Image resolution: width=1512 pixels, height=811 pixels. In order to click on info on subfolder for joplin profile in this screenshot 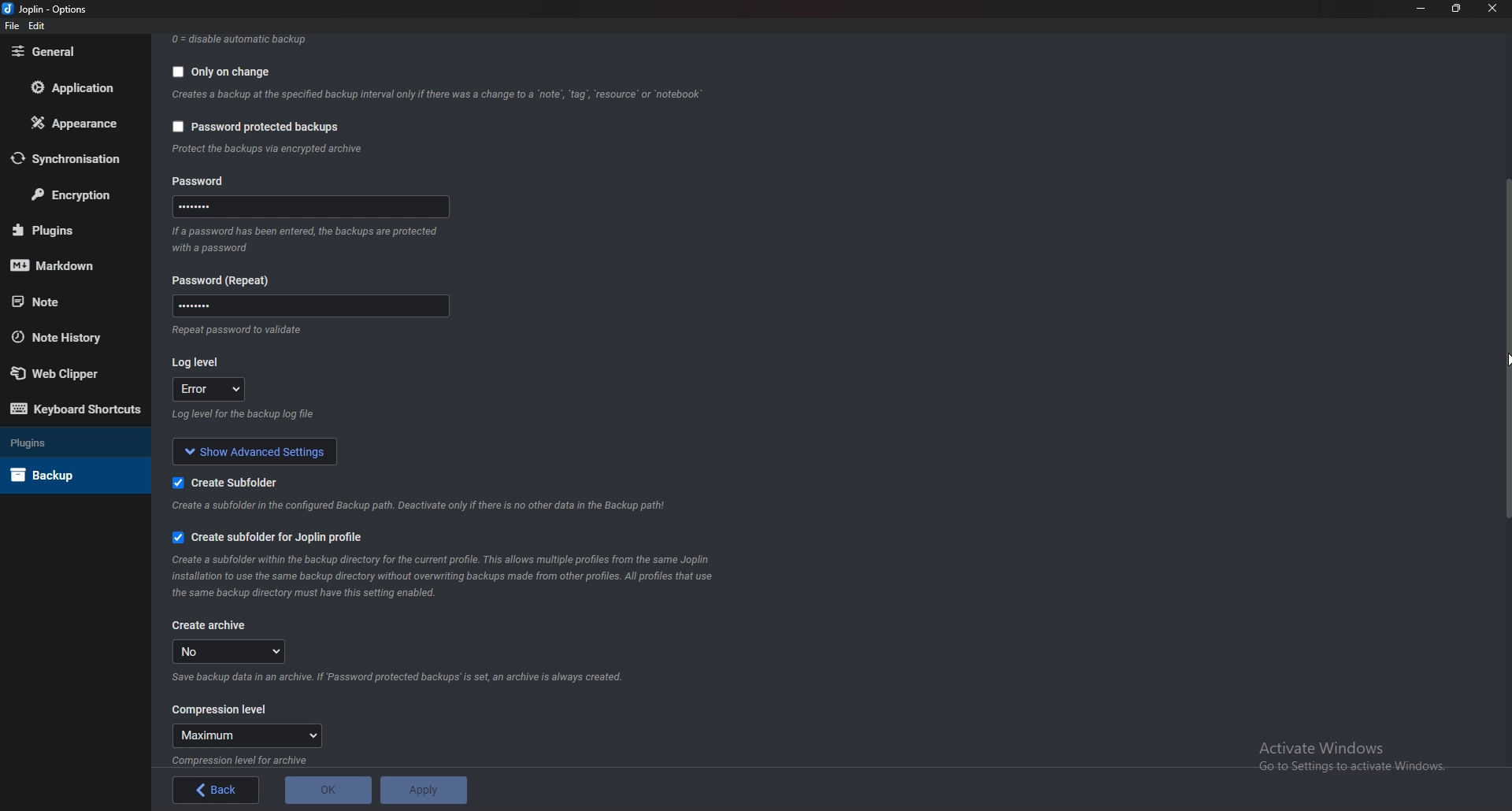, I will do `click(454, 575)`.